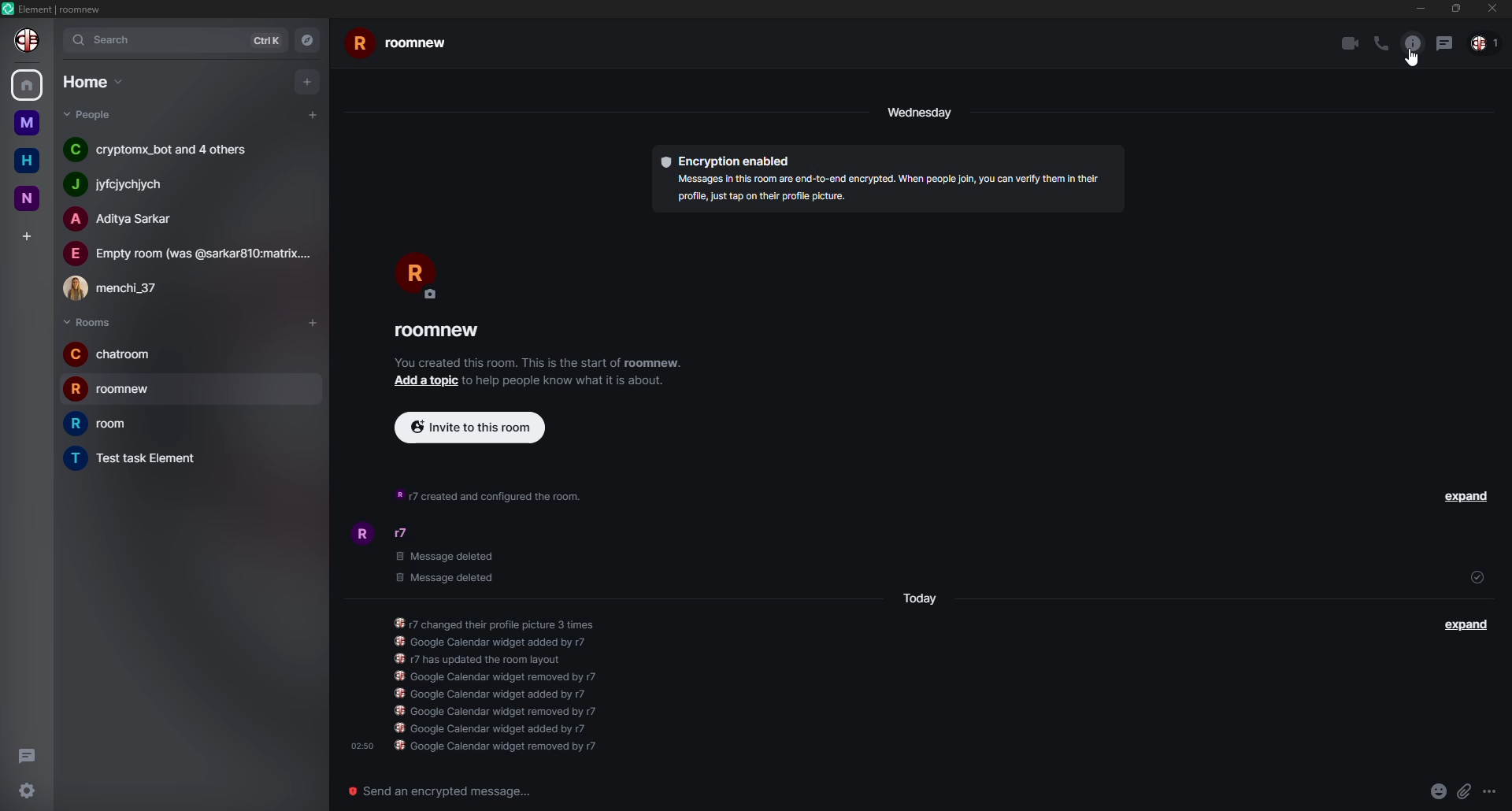 This screenshot has width=1512, height=811. What do you see at coordinates (313, 321) in the screenshot?
I see `add` at bounding box center [313, 321].